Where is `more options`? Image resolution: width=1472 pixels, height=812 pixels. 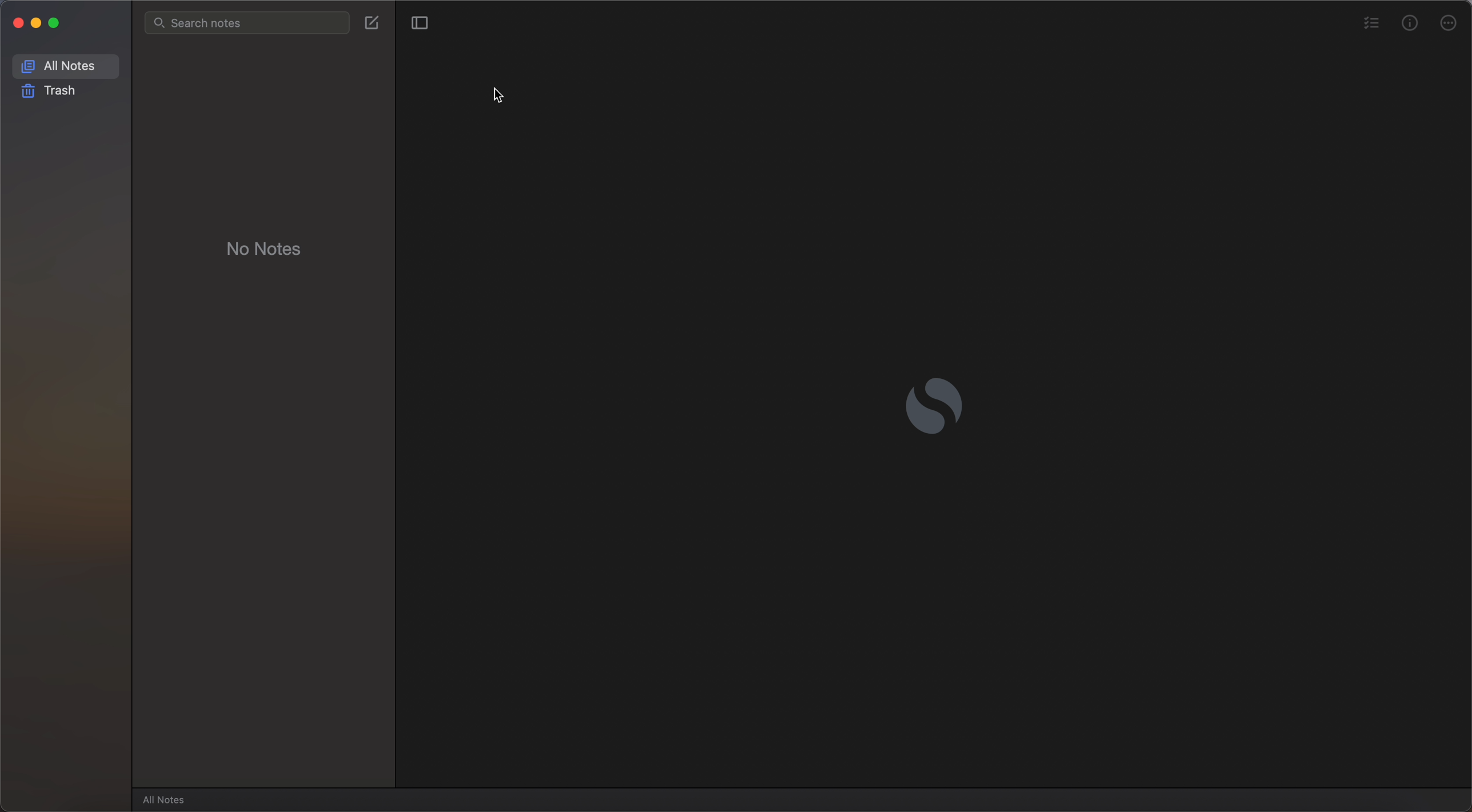
more options is located at coordinates (1450, 22).